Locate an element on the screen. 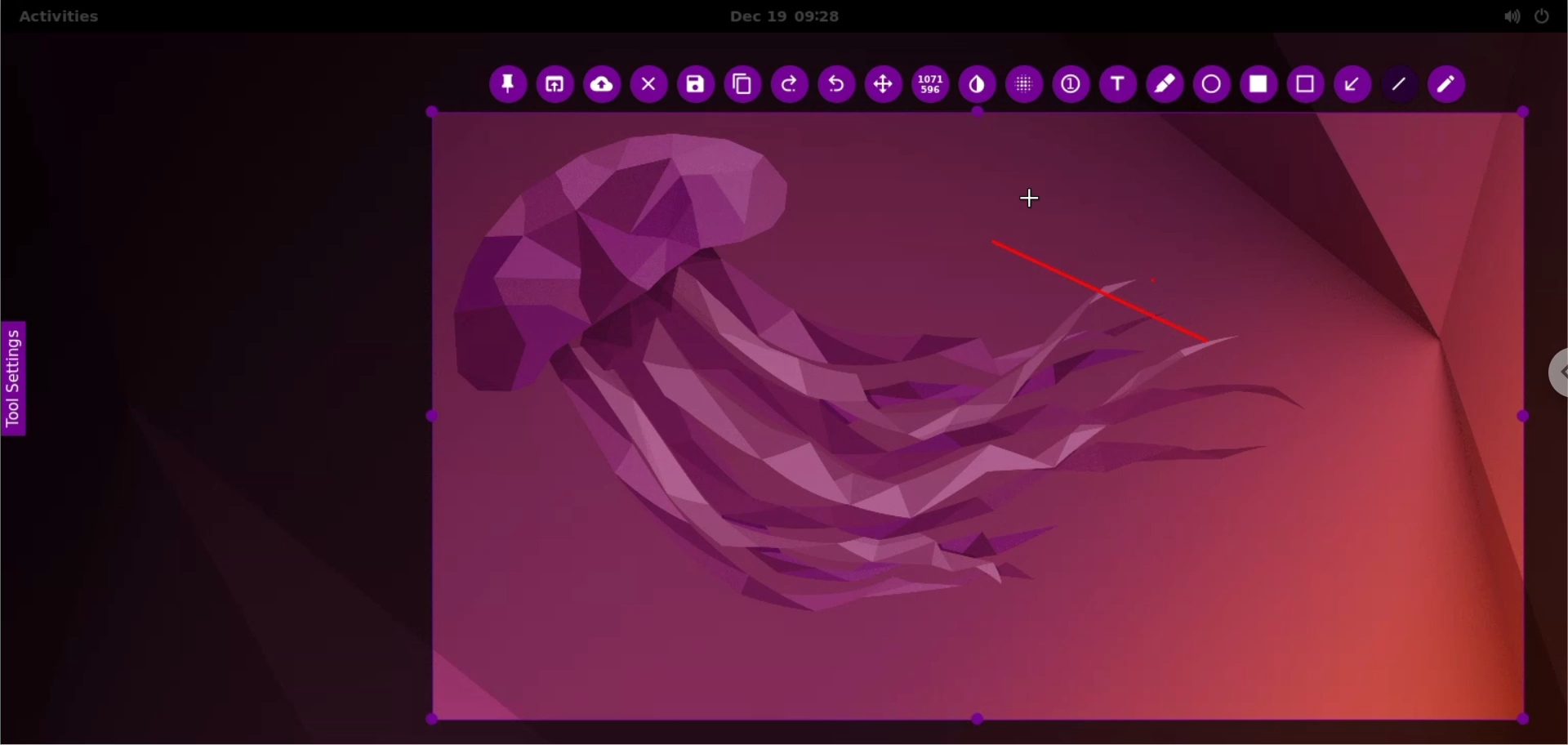 This screenshot has height=745, width=1568. choose app to open is located at coordinates (557, 85).